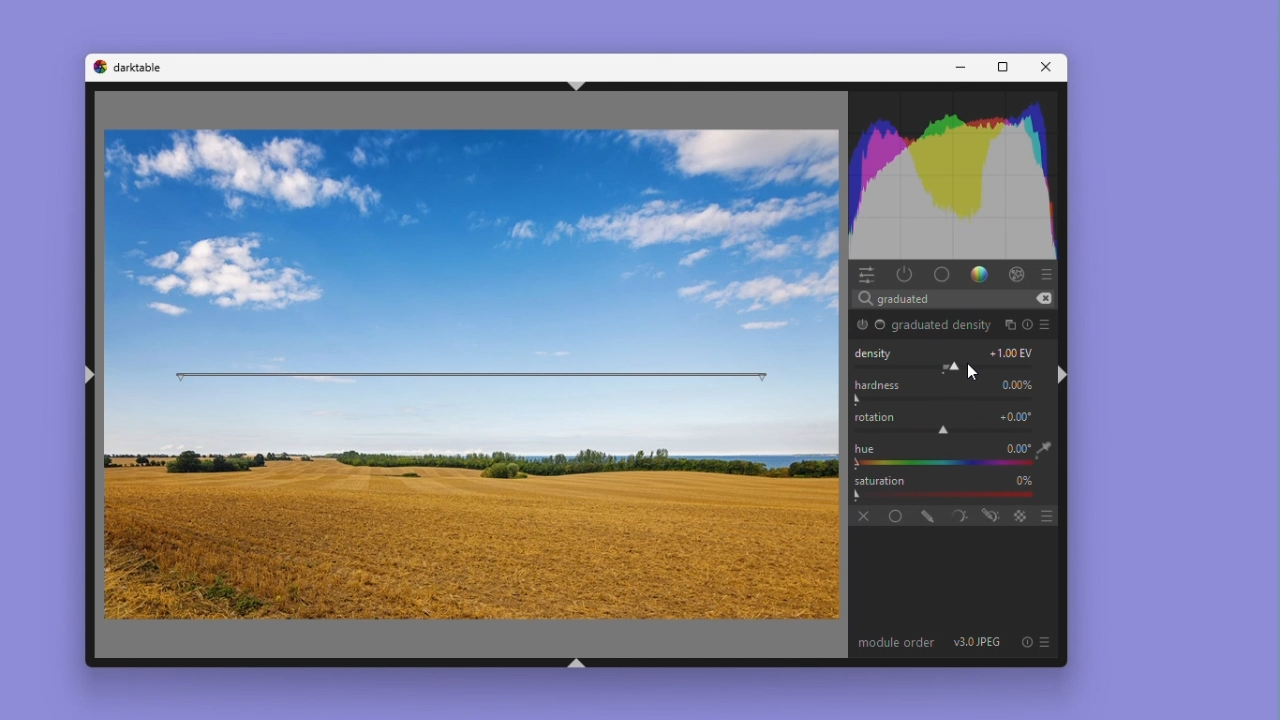  What do you see at coordinates (895, 516) in the screenshot?
I see `Uniformly` at bounding box center [895, 516].